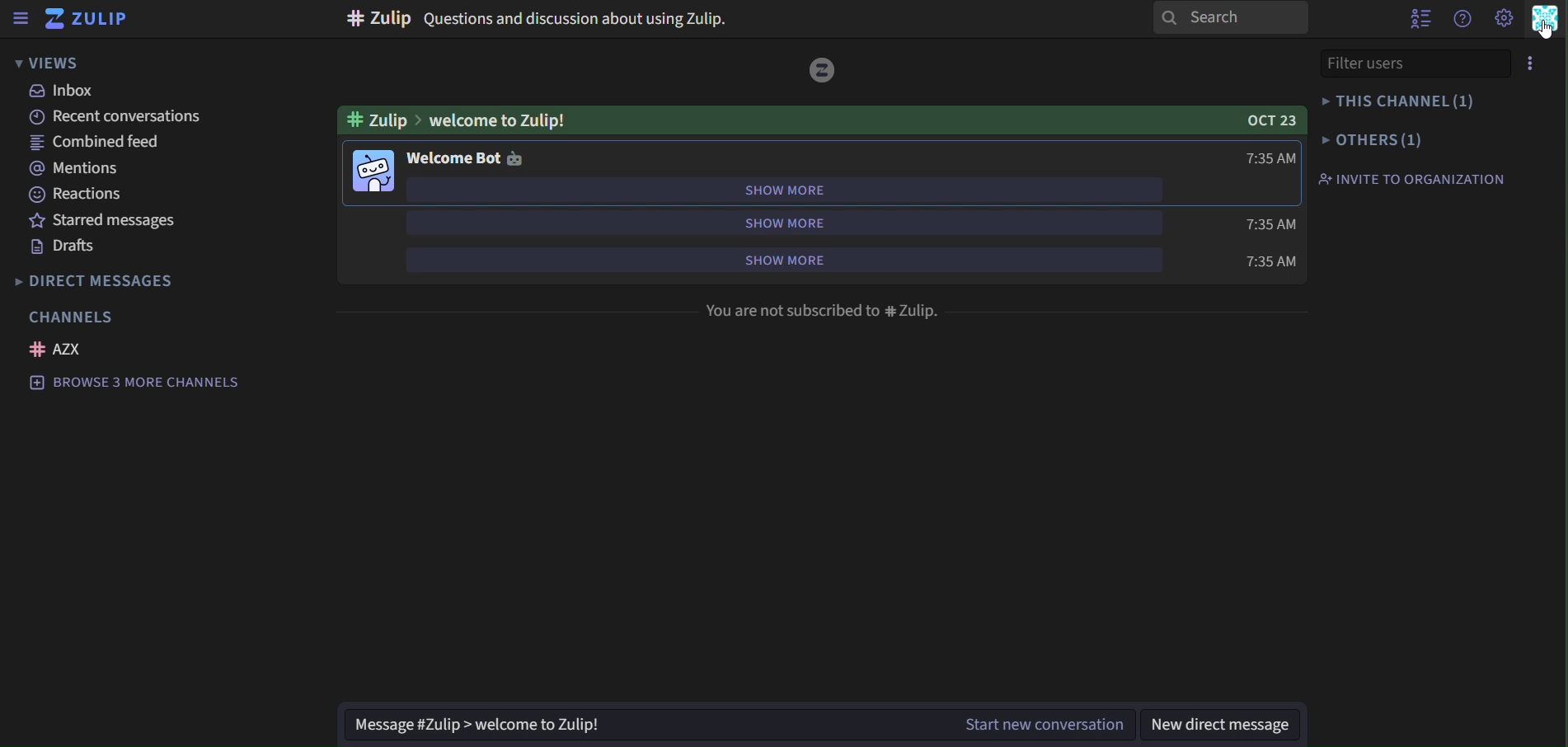 This screenshot has width=1568, height=747. Describe the element at coordinates (95, 282) in the screenshot. I see `direct messages` at that location.